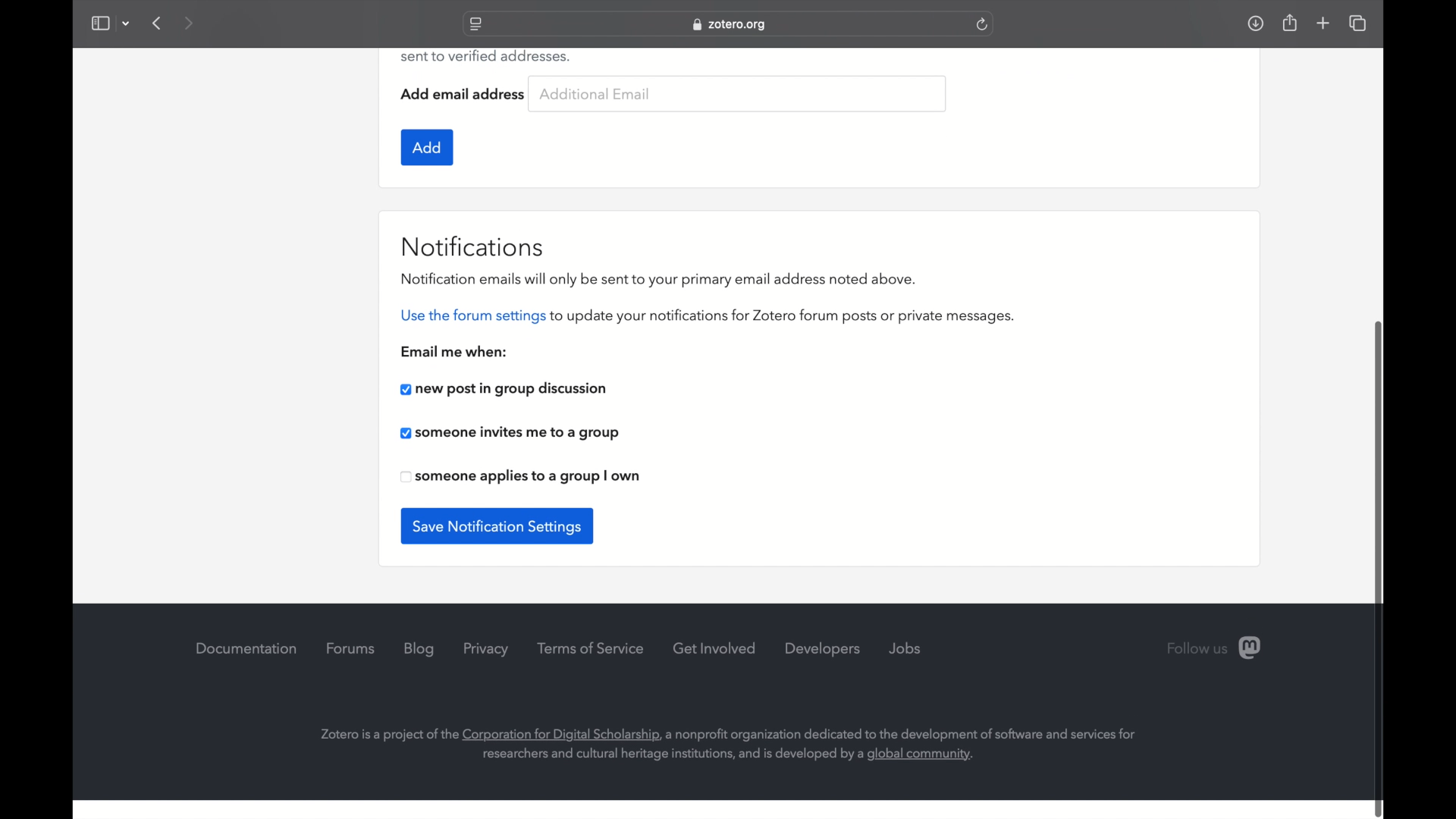  Describe the element at coordinates (1380, 567) in the screenshot. I see `scroll box` at that location.